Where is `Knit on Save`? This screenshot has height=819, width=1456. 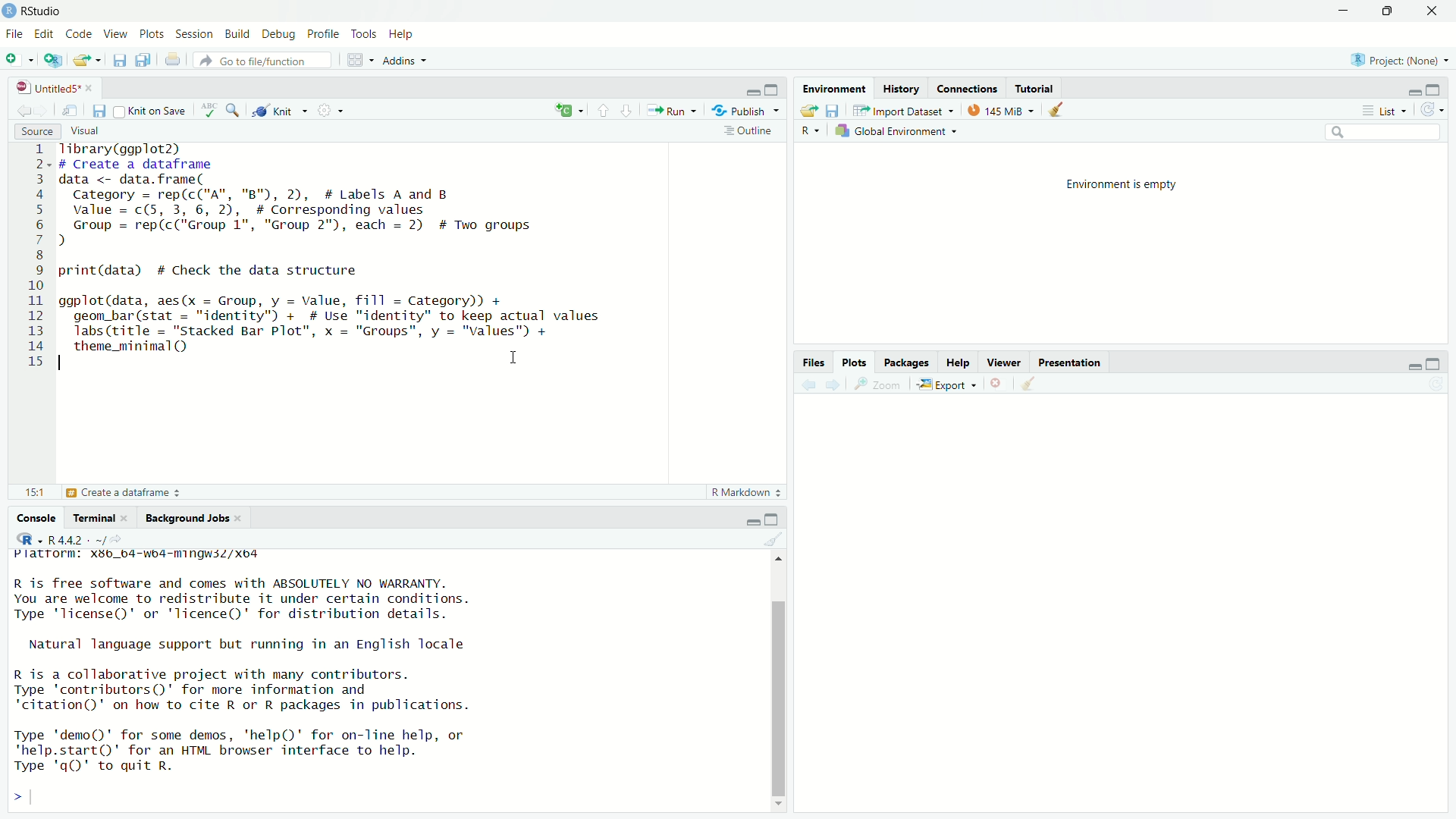
Knit on Save is located at coordinates (152, 110).